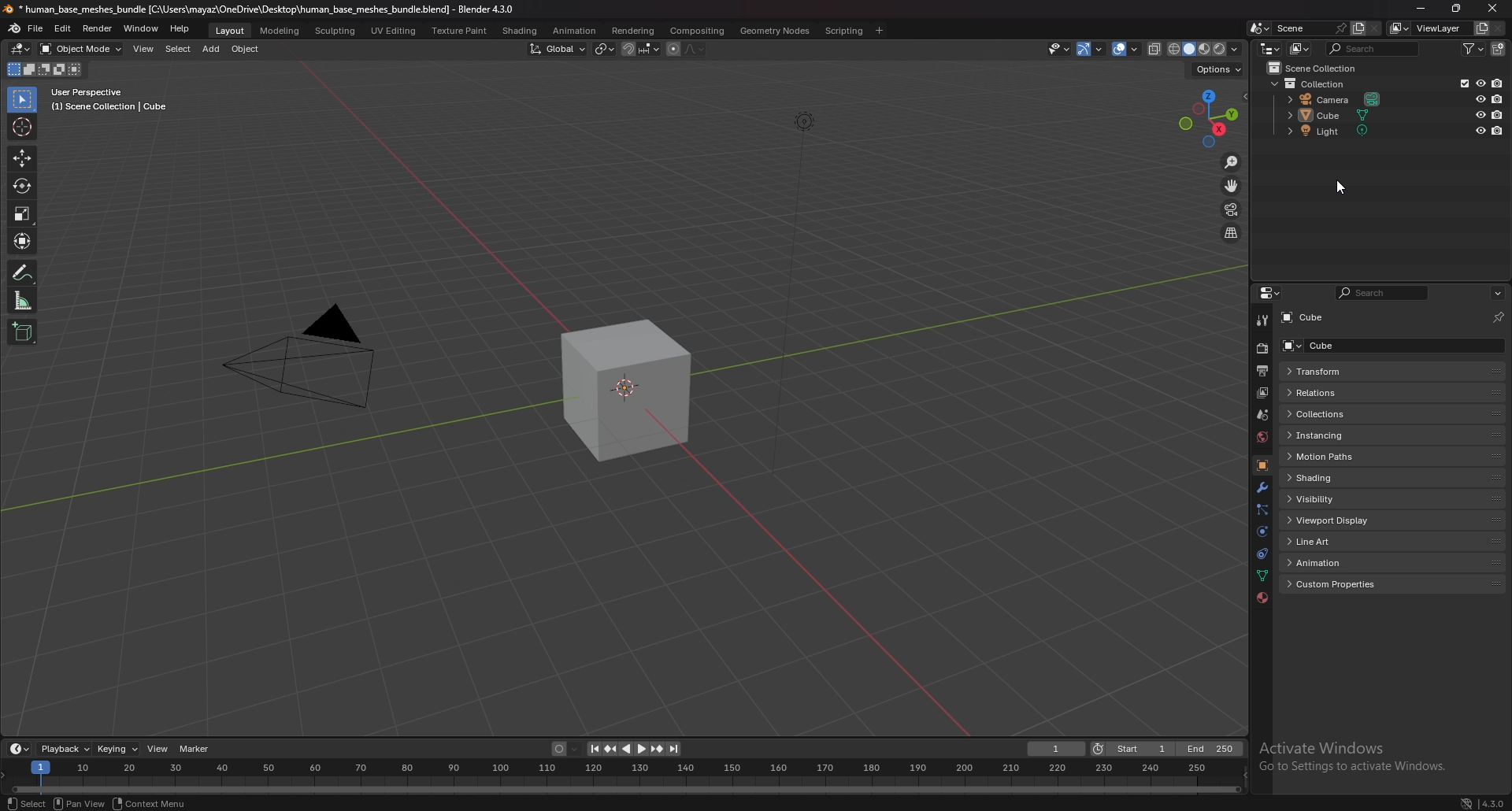 This screenshot has width=1512, height=811. I want to click on viewport display, so click(1343, 520).